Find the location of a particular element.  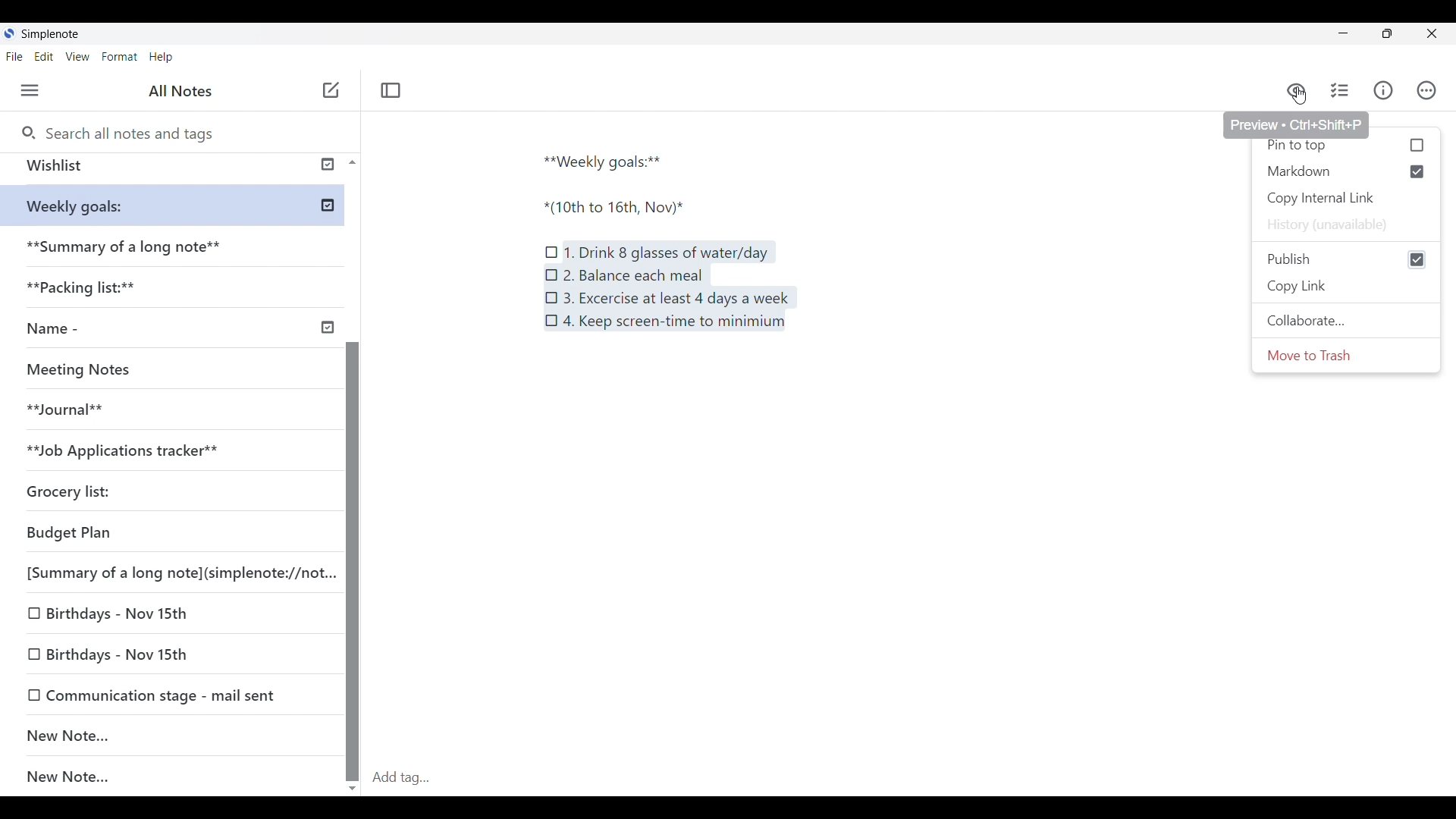

Cursor is located at coordinates (1300, 94).